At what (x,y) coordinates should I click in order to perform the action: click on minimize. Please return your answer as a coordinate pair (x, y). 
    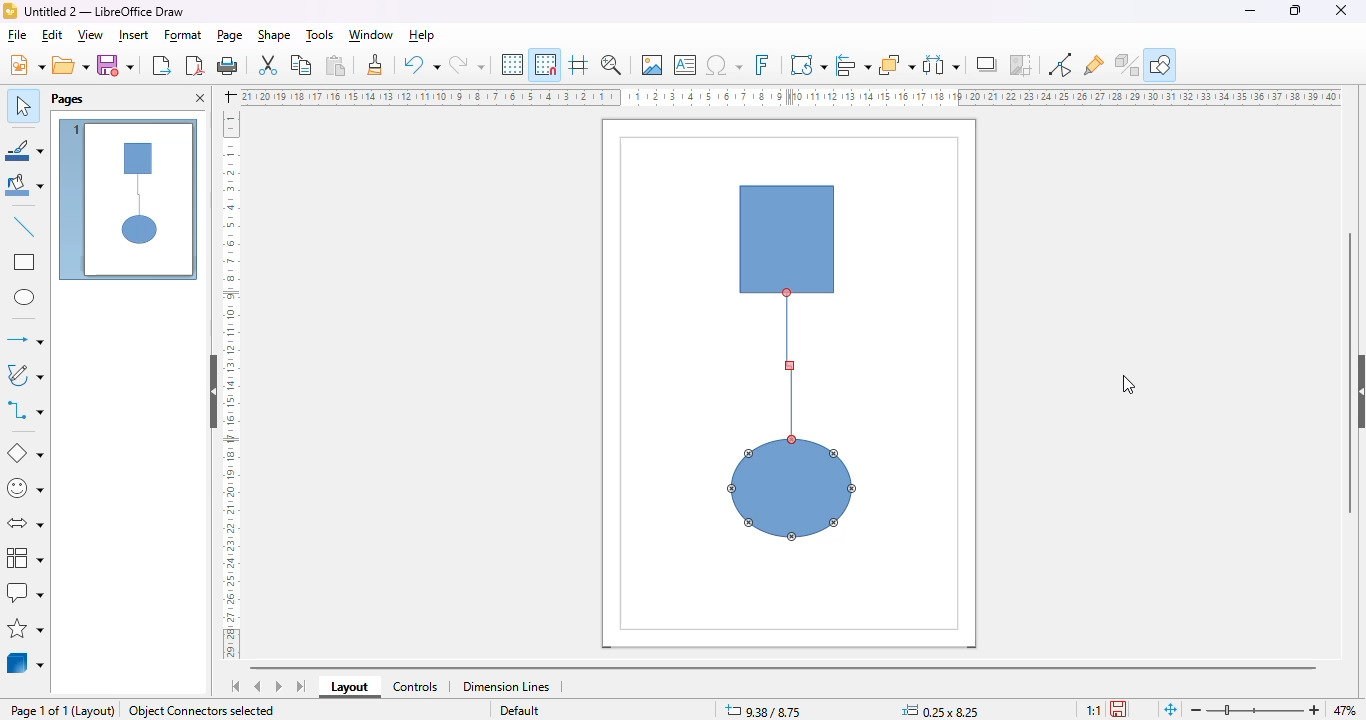
    Looking at the image, I should click on (1250, 11).